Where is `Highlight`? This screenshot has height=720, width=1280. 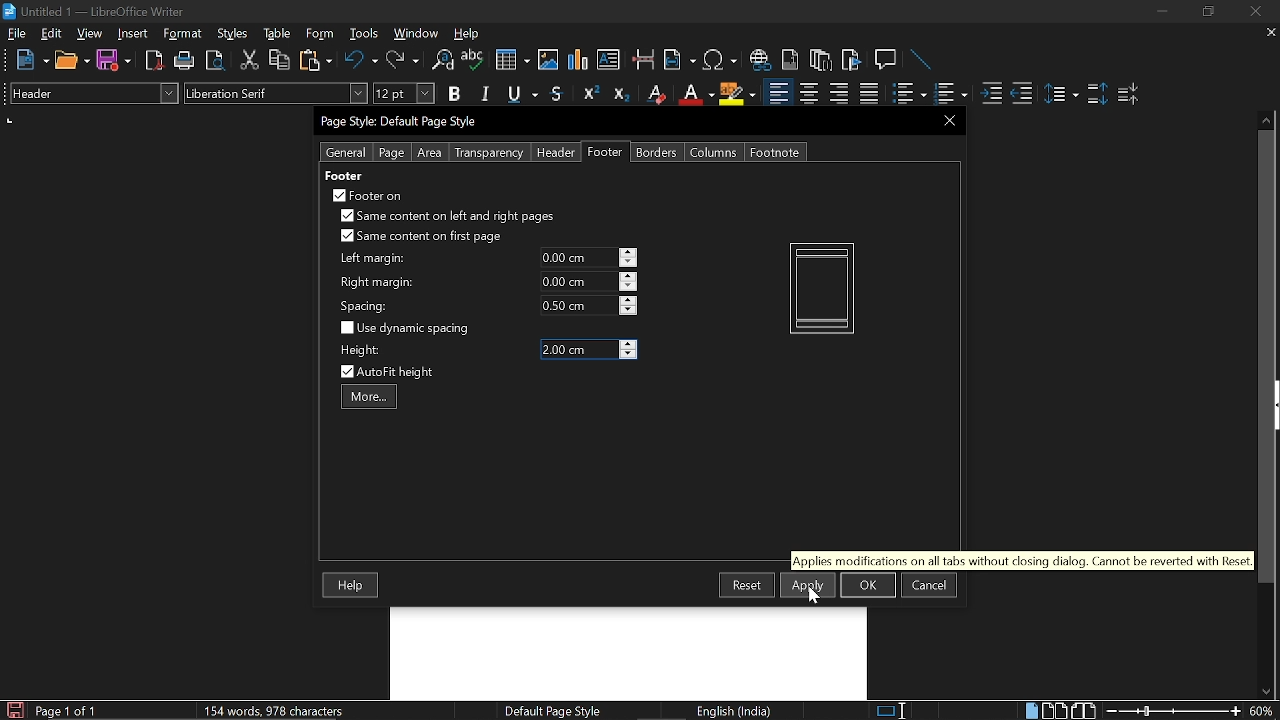 Highlight is located at coordinates (738, 93).